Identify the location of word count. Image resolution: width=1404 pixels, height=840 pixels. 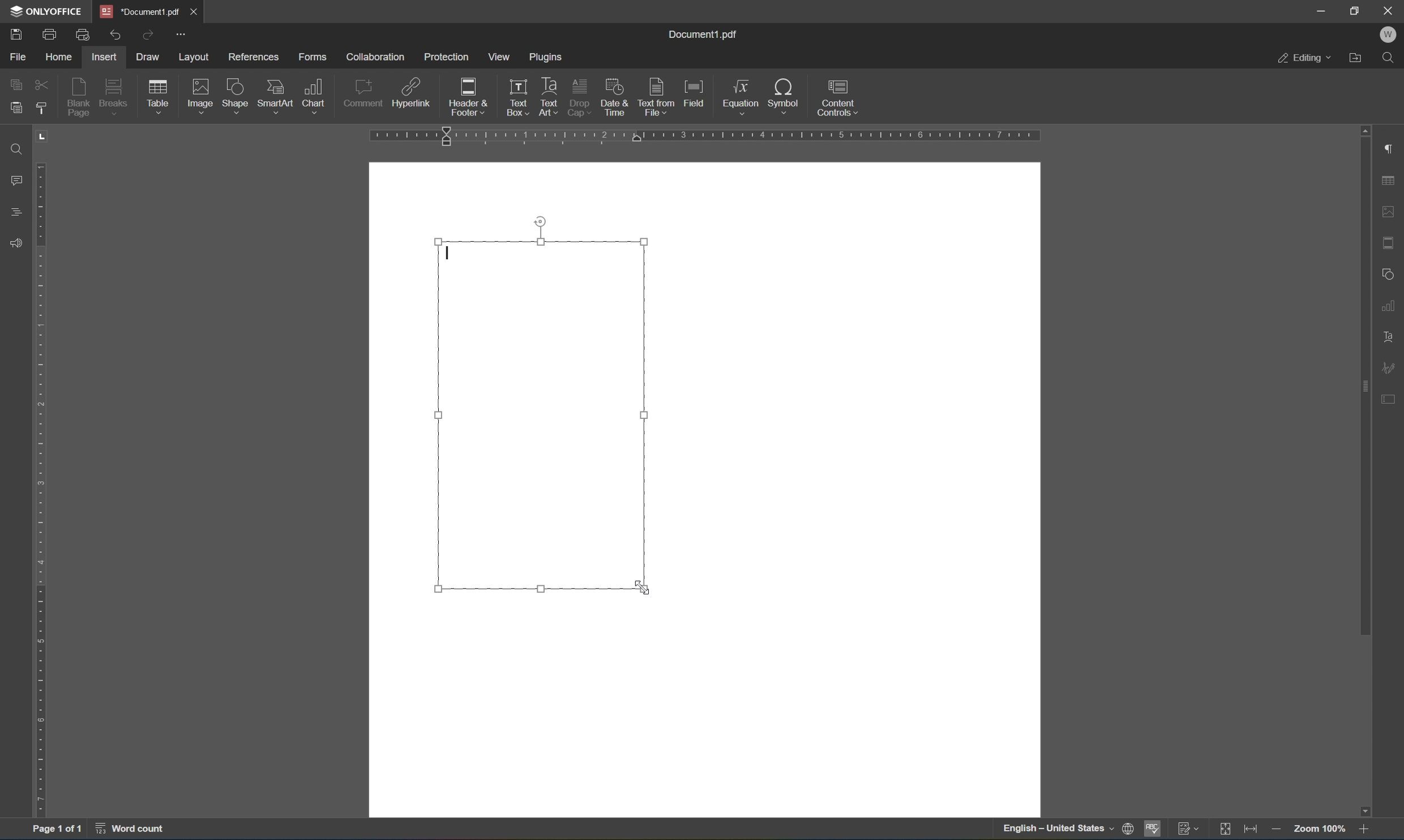
(131, 829).